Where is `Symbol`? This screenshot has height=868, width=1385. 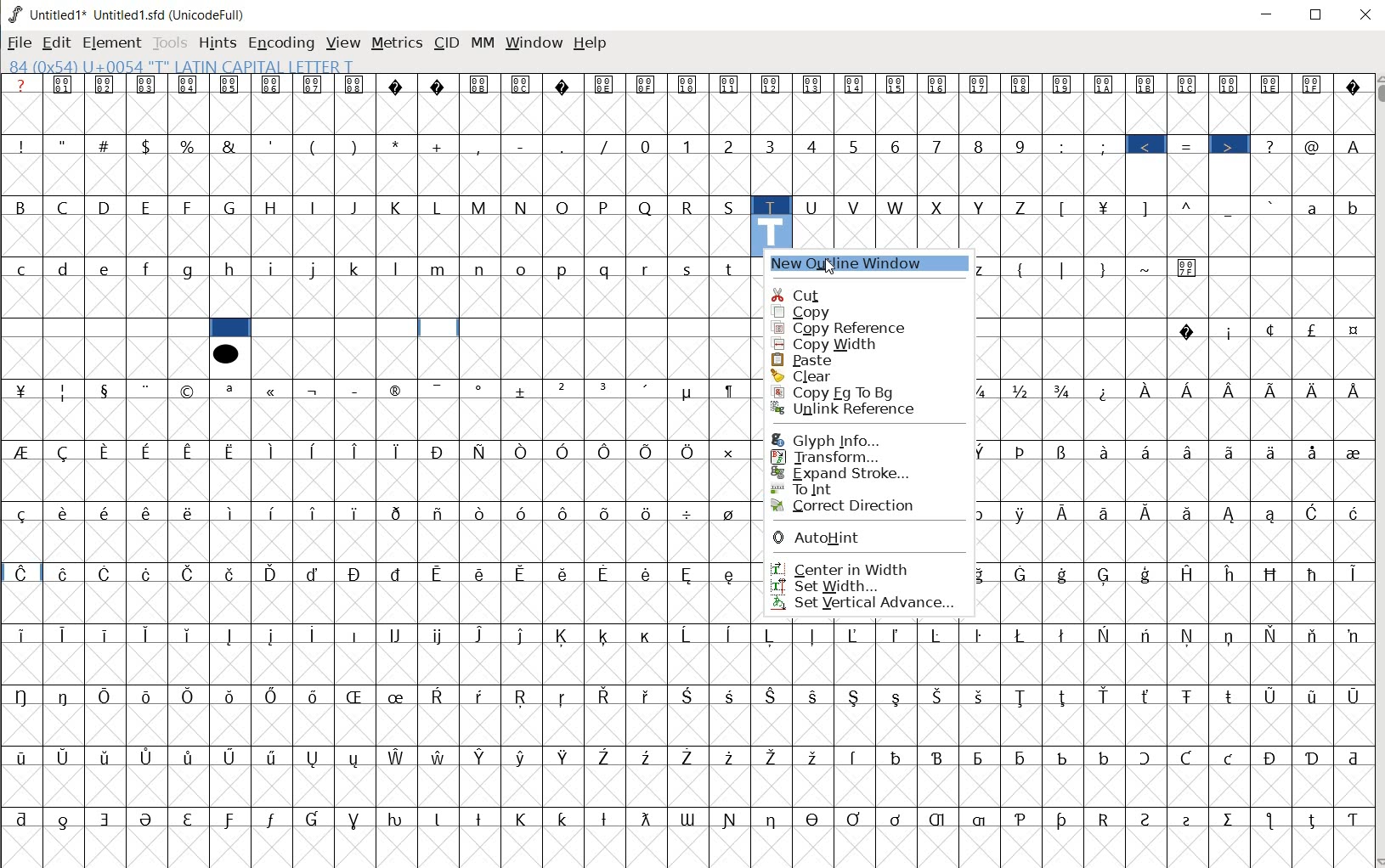 Symbol is located at coordinates (232, 573).